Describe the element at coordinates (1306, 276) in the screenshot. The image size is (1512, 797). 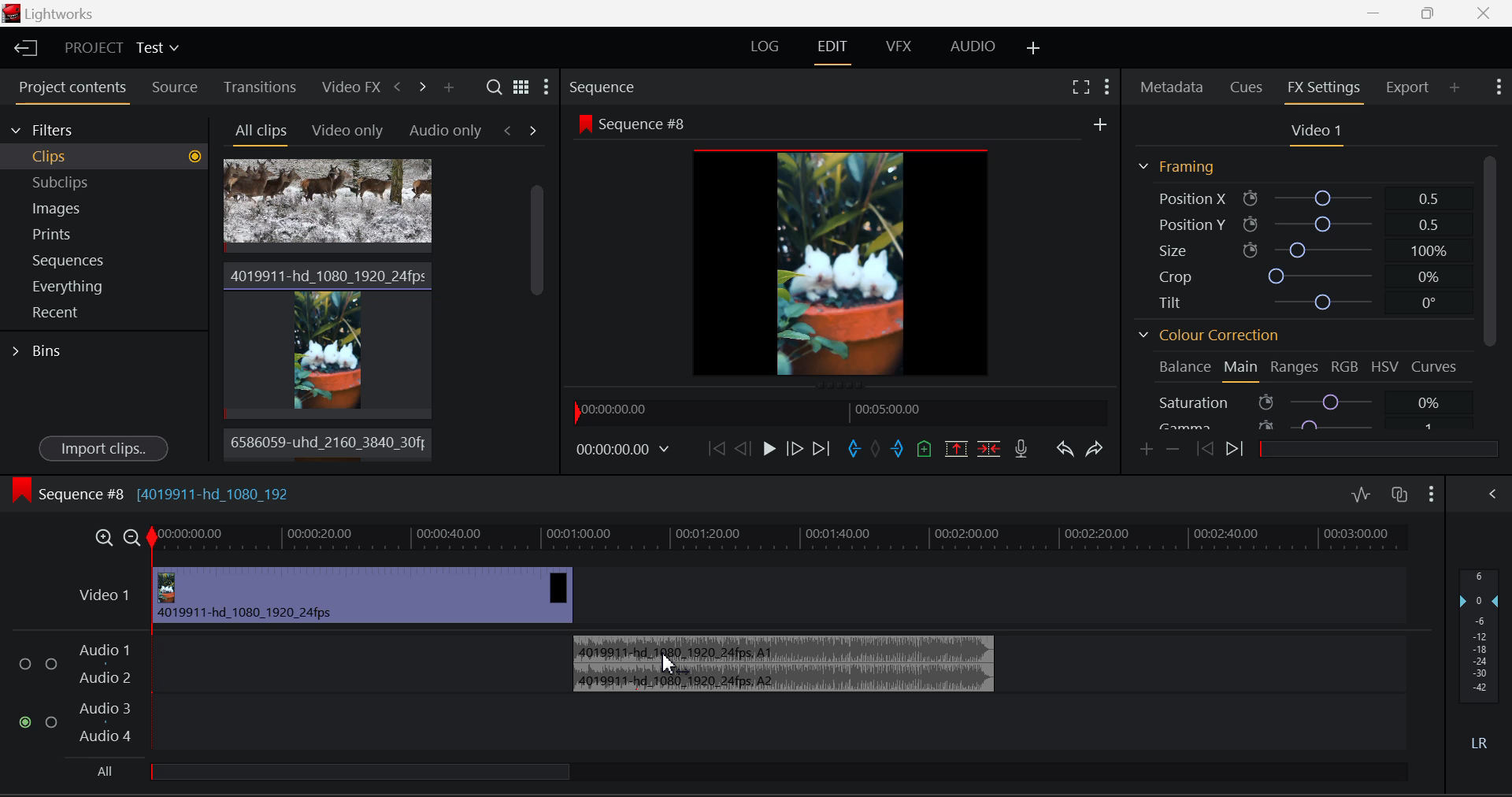
I see `Crop` at that location.